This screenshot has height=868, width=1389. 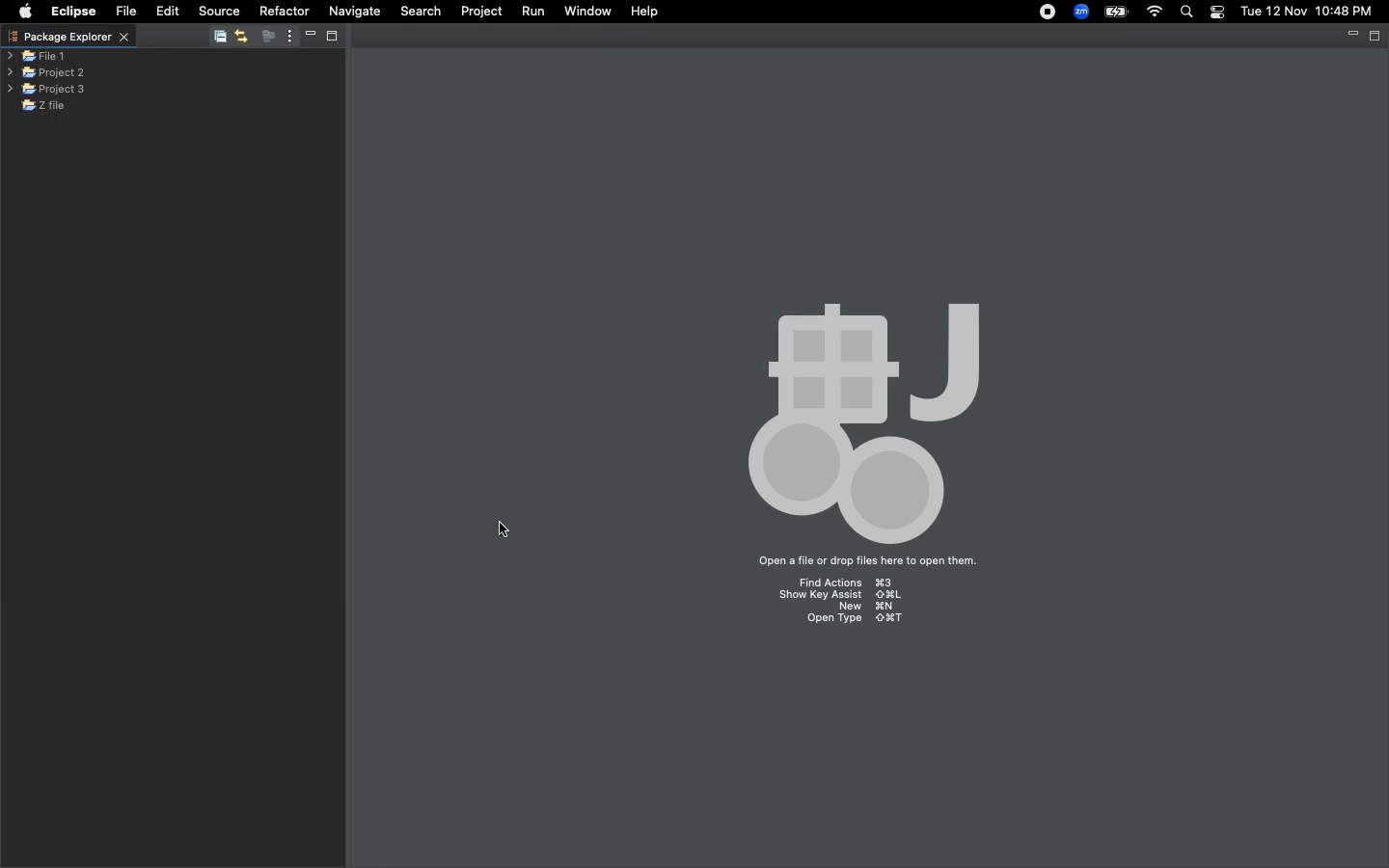 I want to click on Window, so click(x=586, y=11).